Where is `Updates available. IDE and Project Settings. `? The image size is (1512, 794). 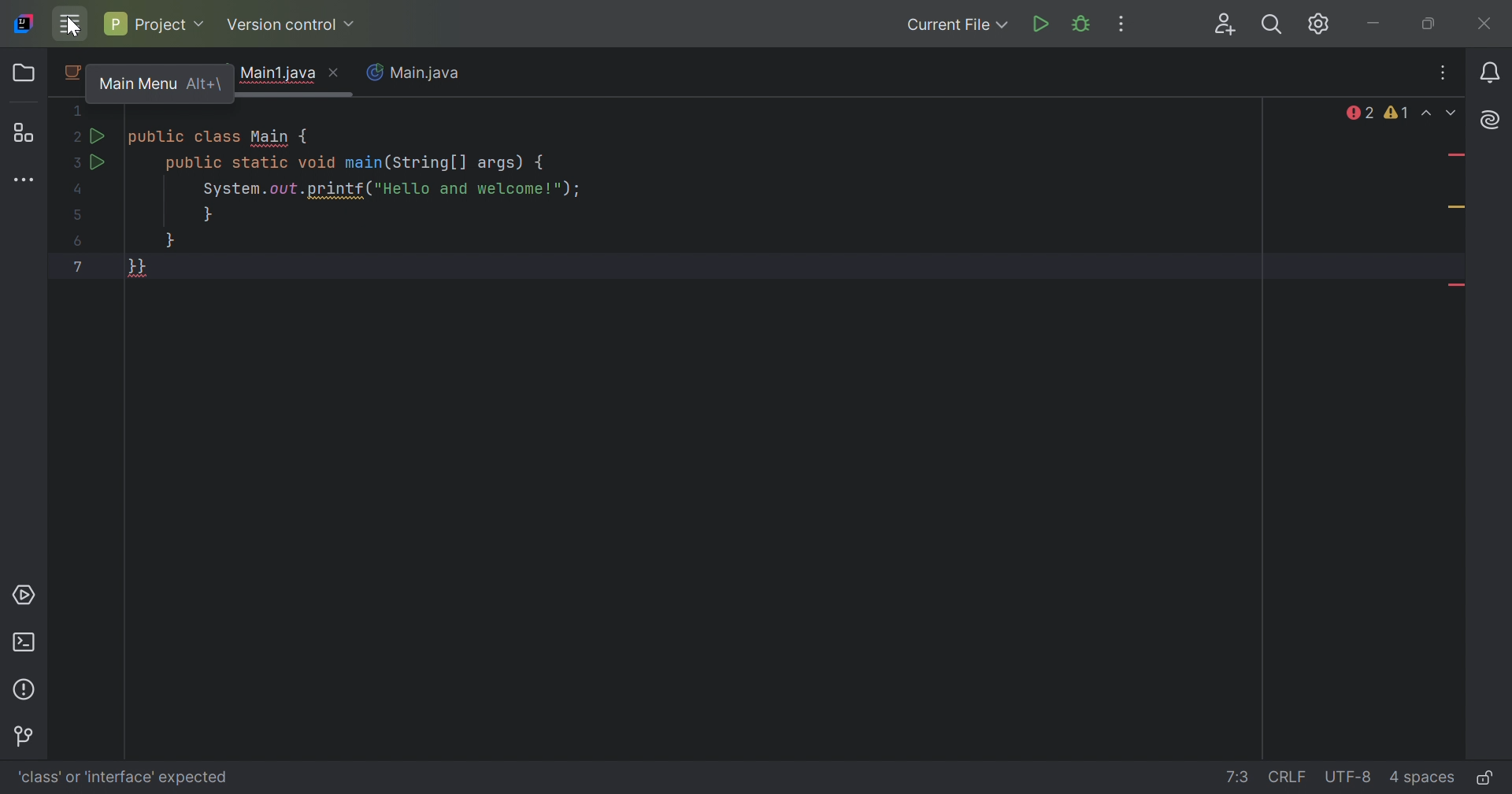 Updates available. IDE and Project Settings.  is located at coordinates (1321, 24).